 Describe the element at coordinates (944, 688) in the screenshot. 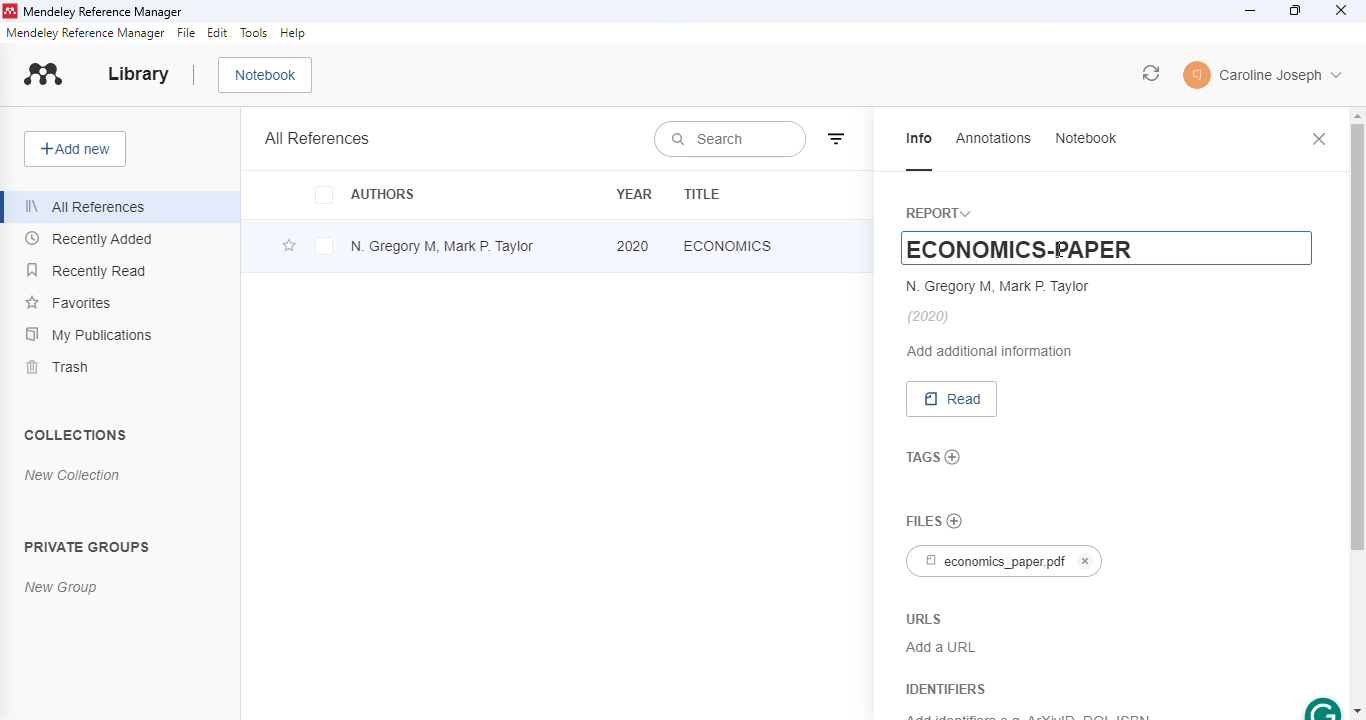

I see `identifiers` at that location.